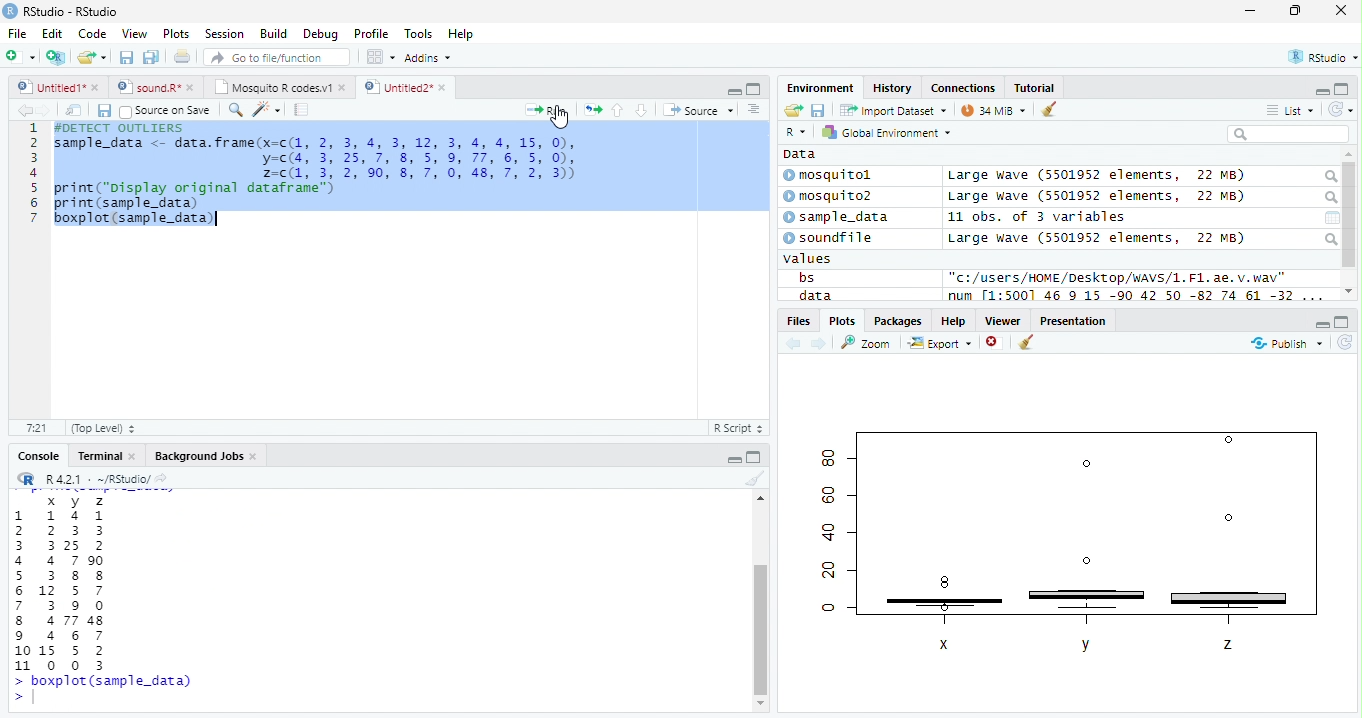 This screenshot has width=1362, height=718. What do you see at coordinates (616, 110) in the screenshot?
I see `Go to previous section` at bounding box center [616, 110].